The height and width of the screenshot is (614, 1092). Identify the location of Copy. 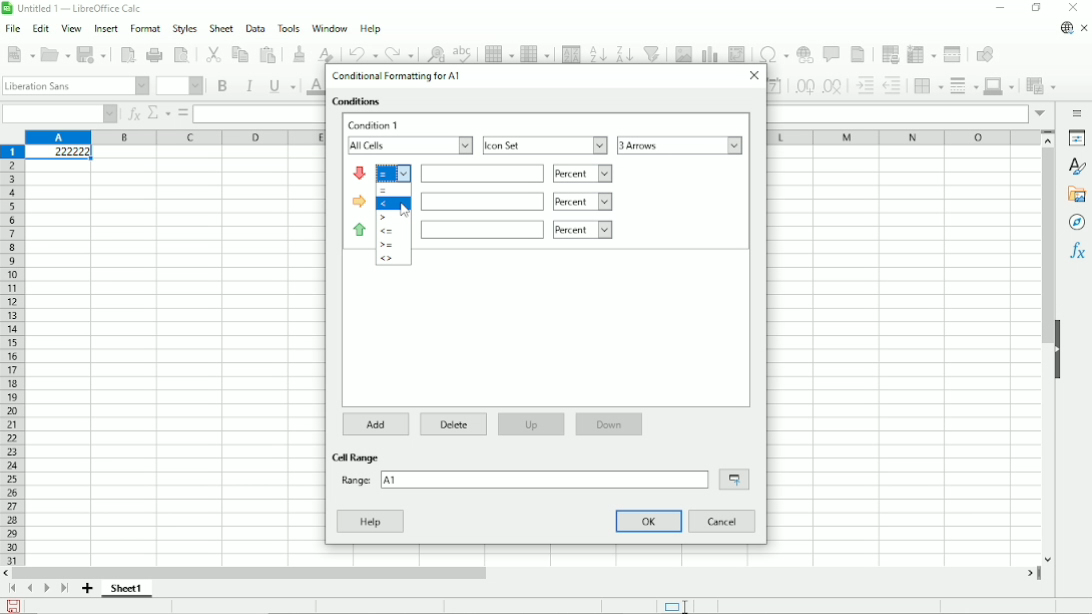
(239, 53).